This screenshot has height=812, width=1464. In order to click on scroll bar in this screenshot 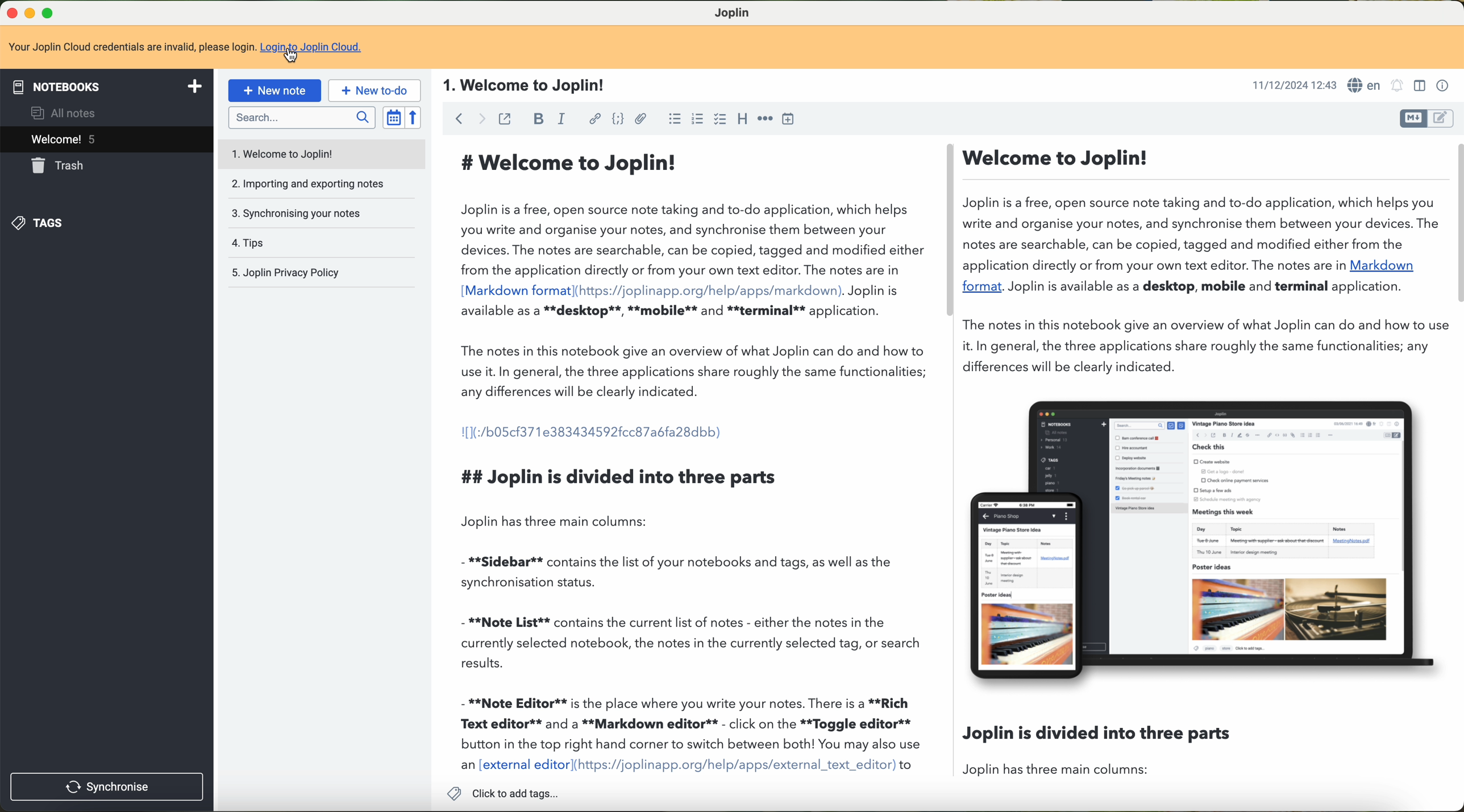, I will do `click(1455, 223)`.